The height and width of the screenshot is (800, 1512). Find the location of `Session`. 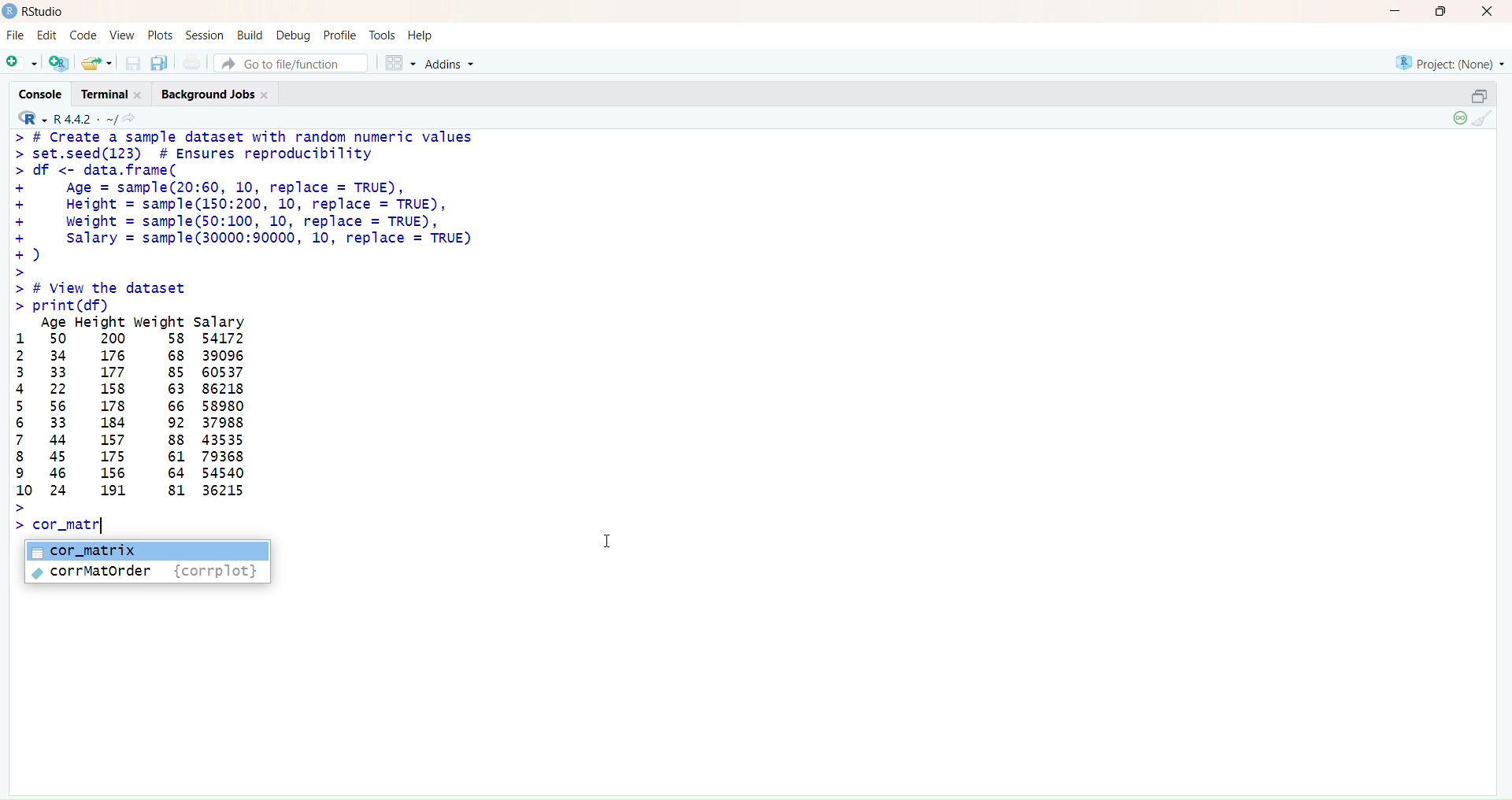

Session is located at coordinates (206, 35).